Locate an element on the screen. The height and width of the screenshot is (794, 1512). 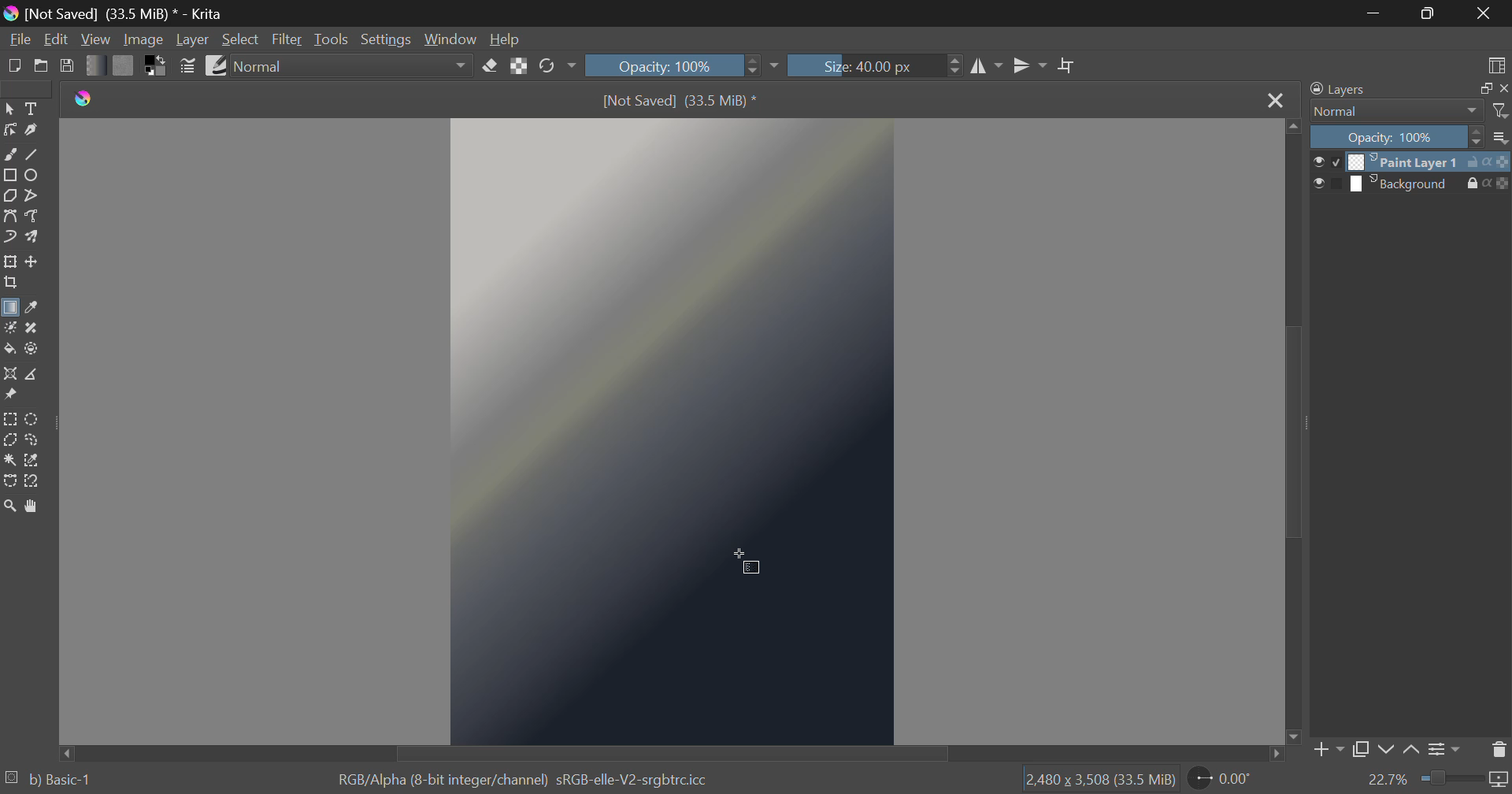
Filter is located at coordinates (288, 39).